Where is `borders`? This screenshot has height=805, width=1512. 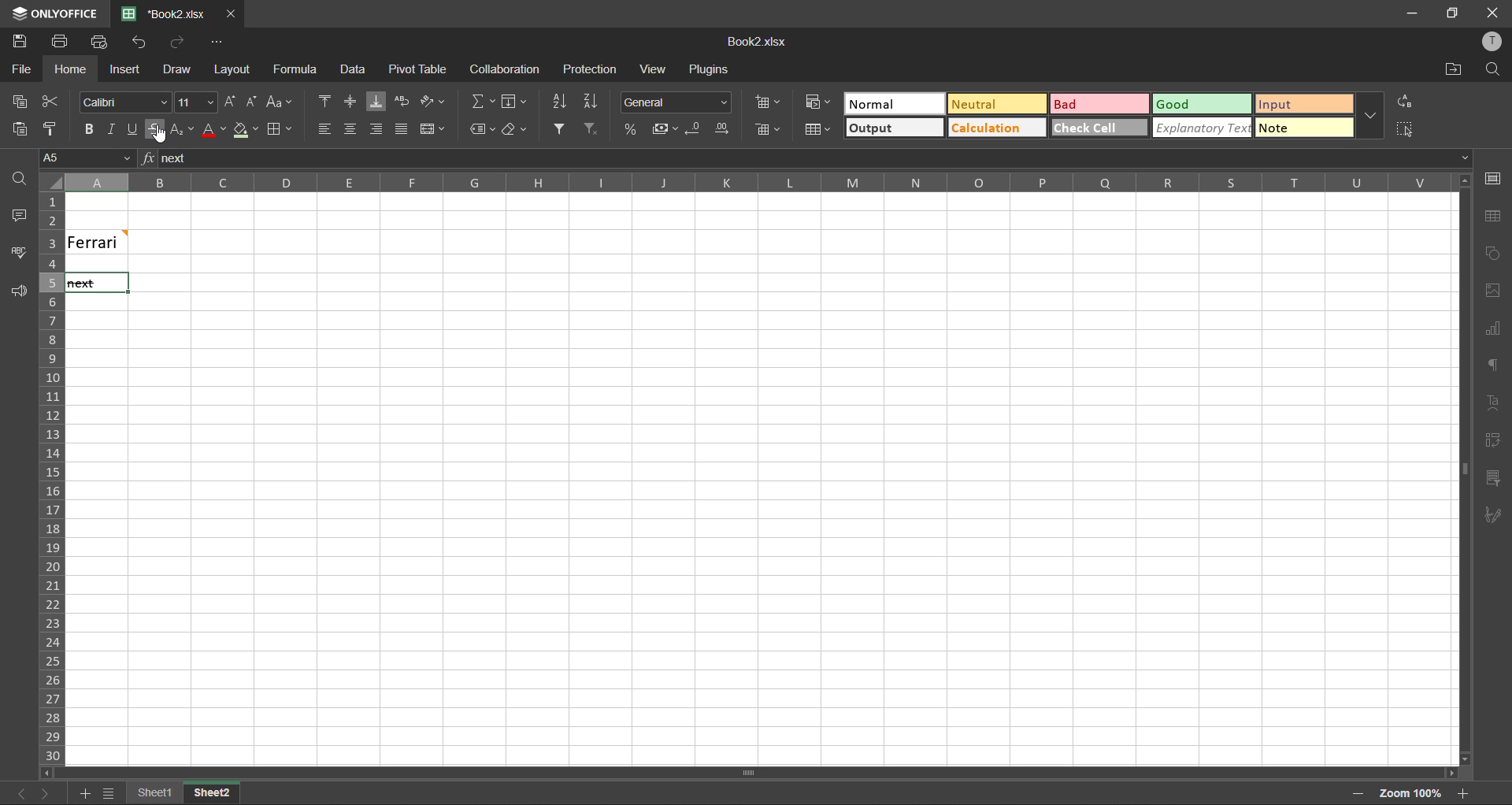 borders is located at coordinates (280, 130).